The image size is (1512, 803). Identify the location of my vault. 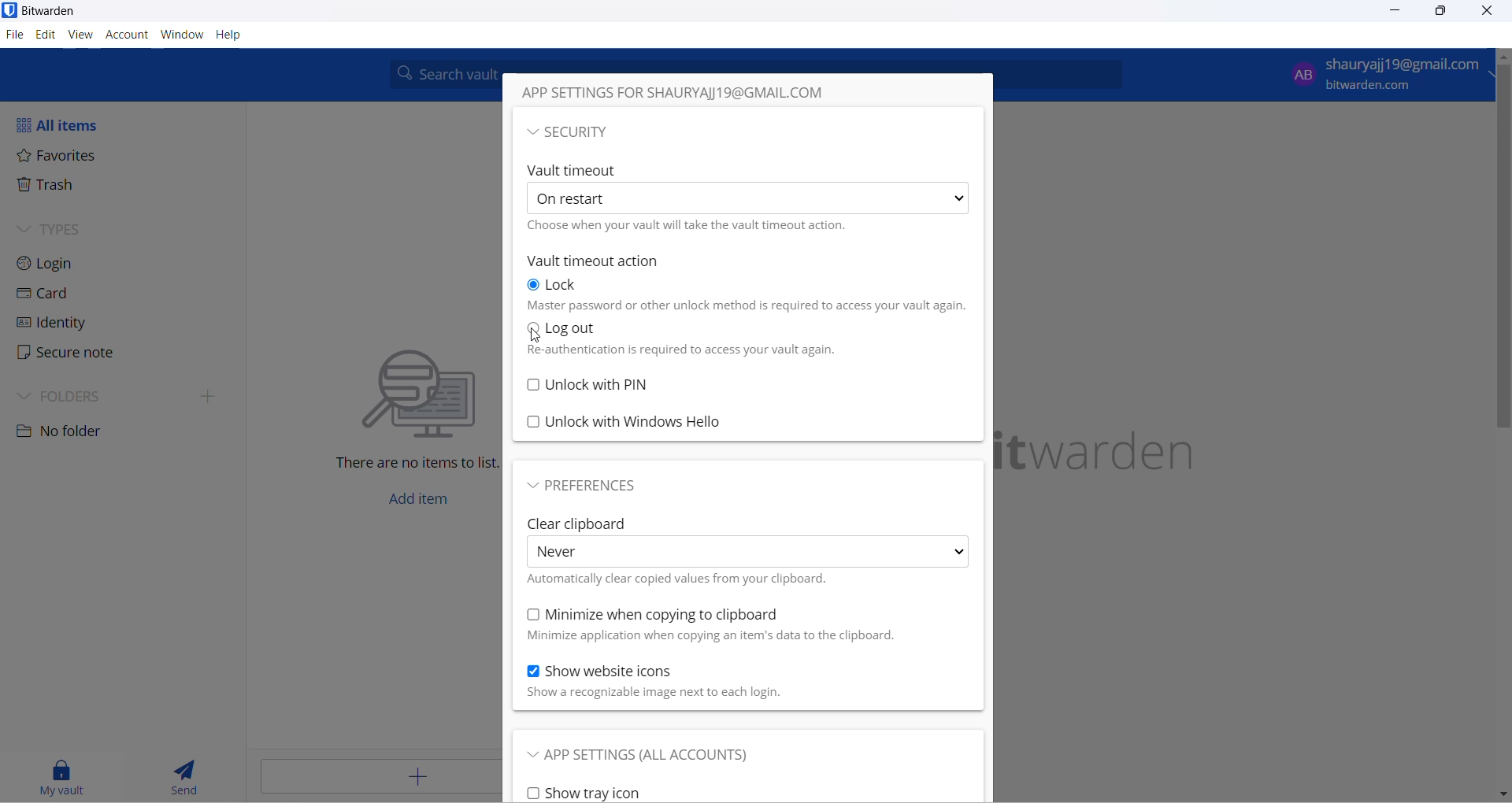
(62, 775).